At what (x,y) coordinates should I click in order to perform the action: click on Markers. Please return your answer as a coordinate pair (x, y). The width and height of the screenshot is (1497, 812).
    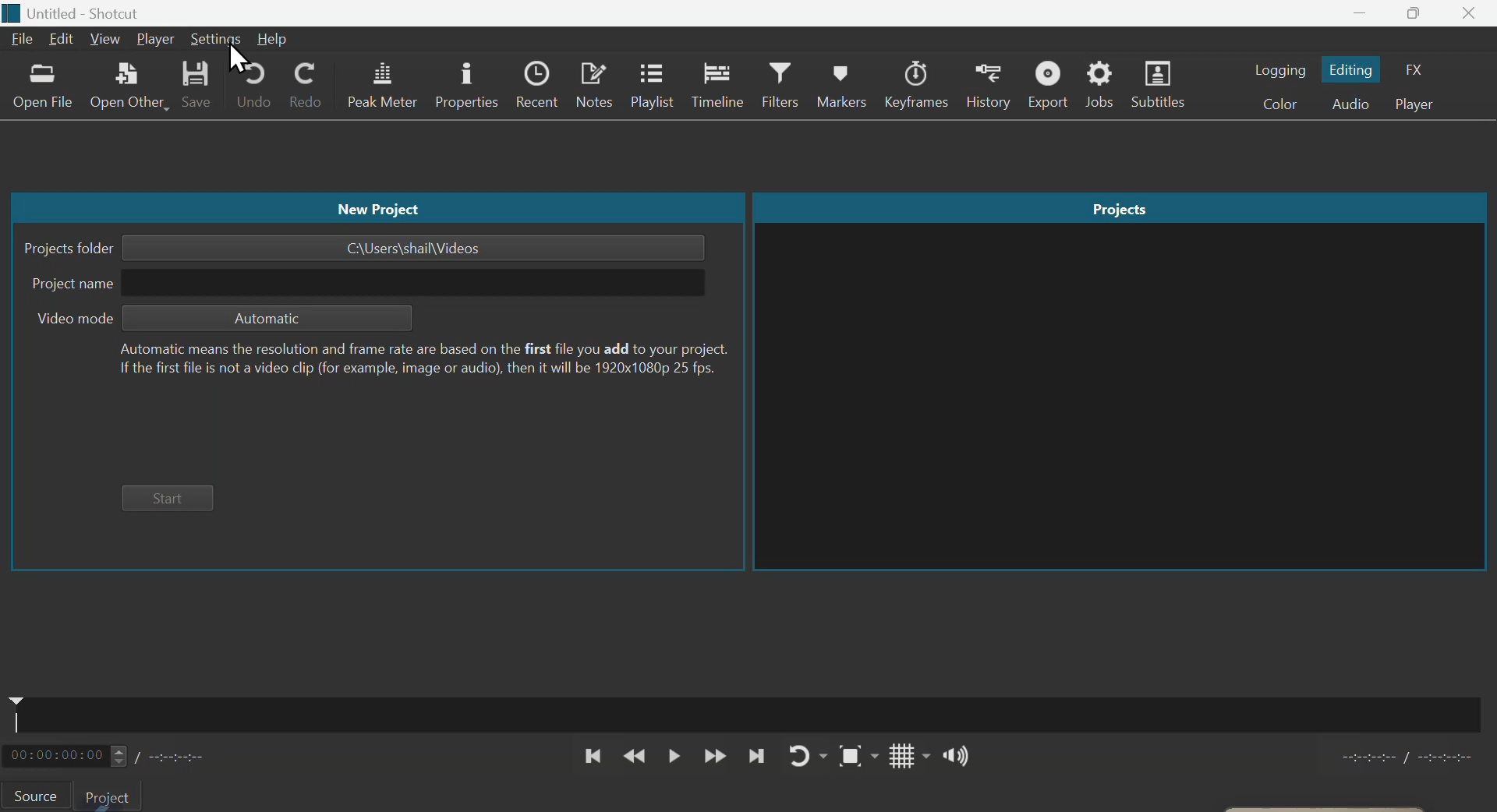
    Looking at the image, I should click on (844, 84).